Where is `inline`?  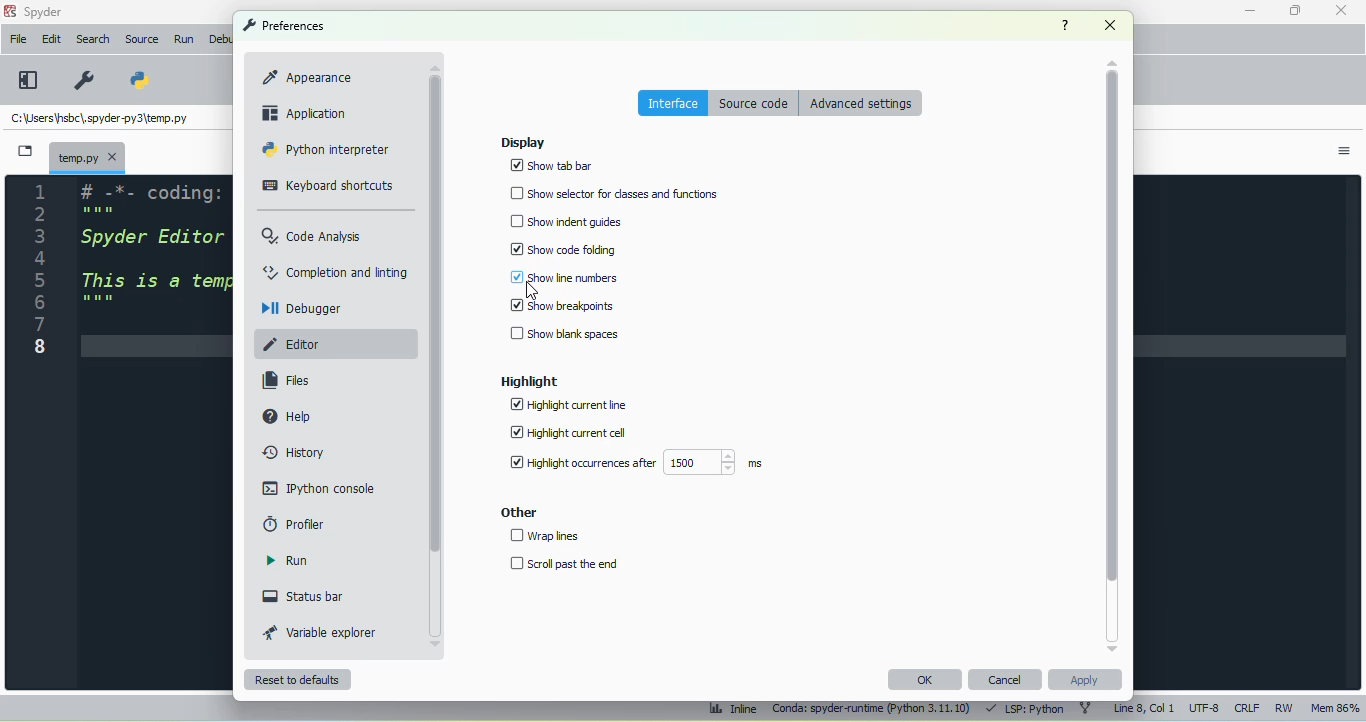
inline is located at coordinates (732, 709).